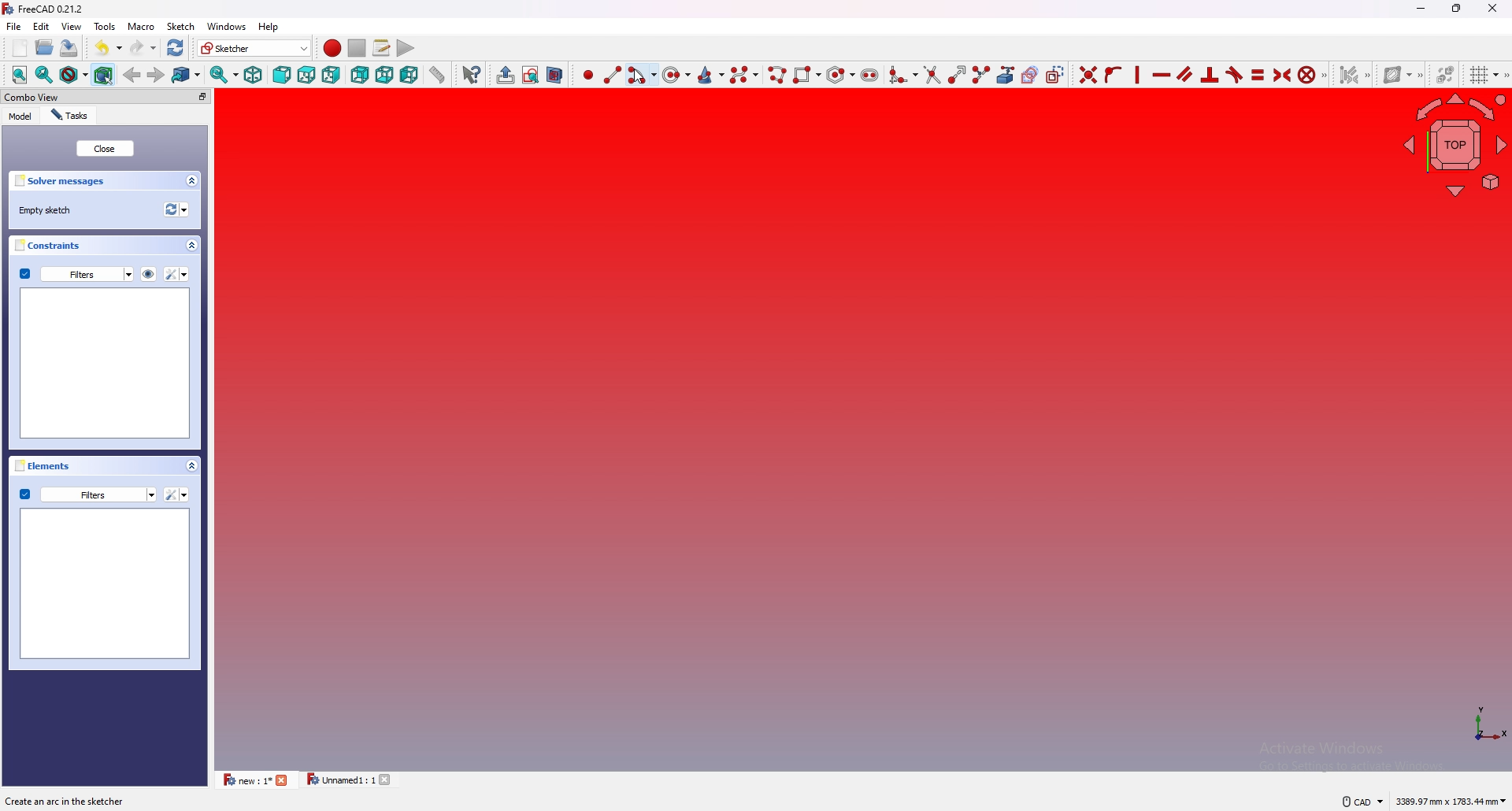 This screenshot has width=1512, height=811. I want to click on constrain symmetrical, so click(1283, 74).